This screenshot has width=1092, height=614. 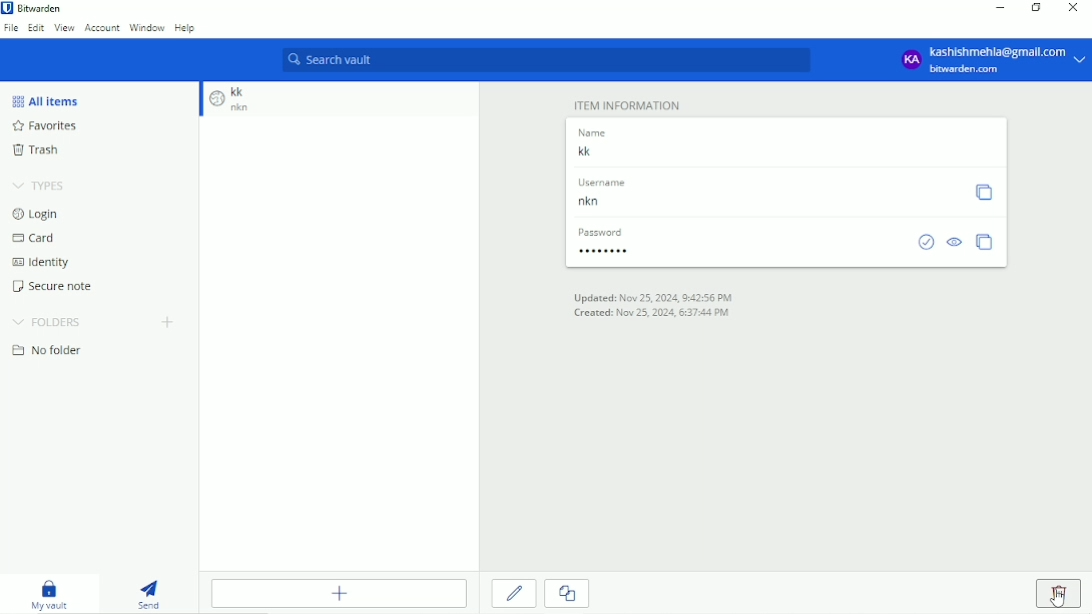 I want to click on View, so click(x=65, y=28).